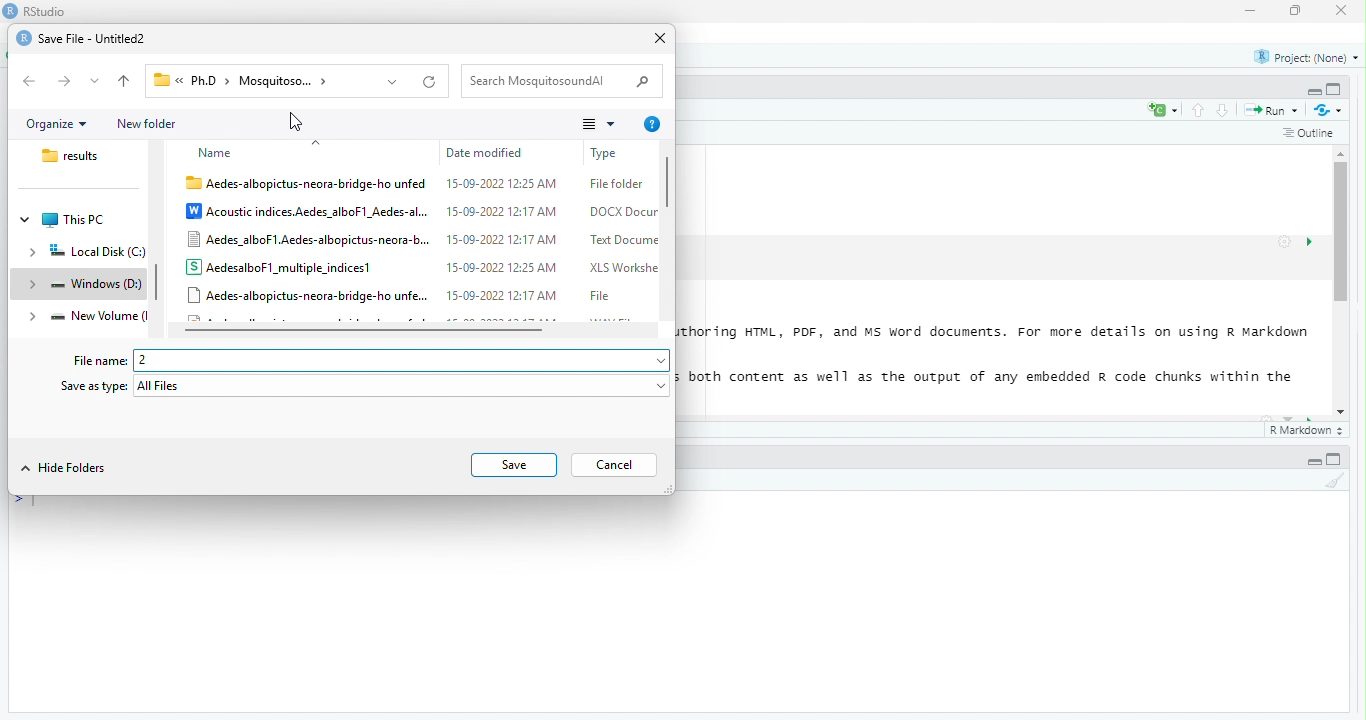 The height and width of the screenshot is (720, 1366). Describe the element at coordinates (126, 82) in the screenshot. I see `most back` at that location.